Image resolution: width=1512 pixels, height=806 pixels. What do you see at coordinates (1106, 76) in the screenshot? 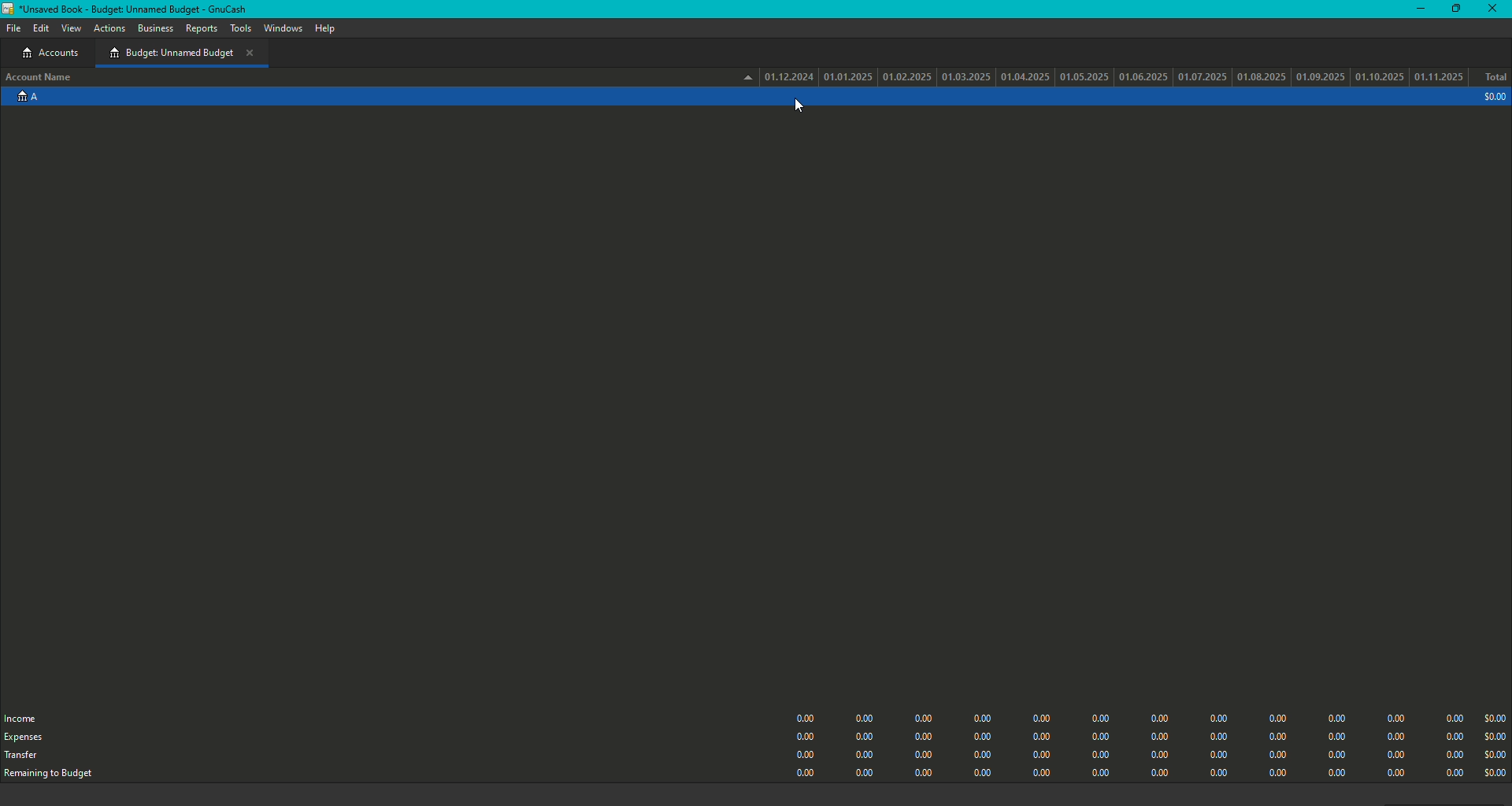
I see `Date range` at bounding box center [1106, 76].